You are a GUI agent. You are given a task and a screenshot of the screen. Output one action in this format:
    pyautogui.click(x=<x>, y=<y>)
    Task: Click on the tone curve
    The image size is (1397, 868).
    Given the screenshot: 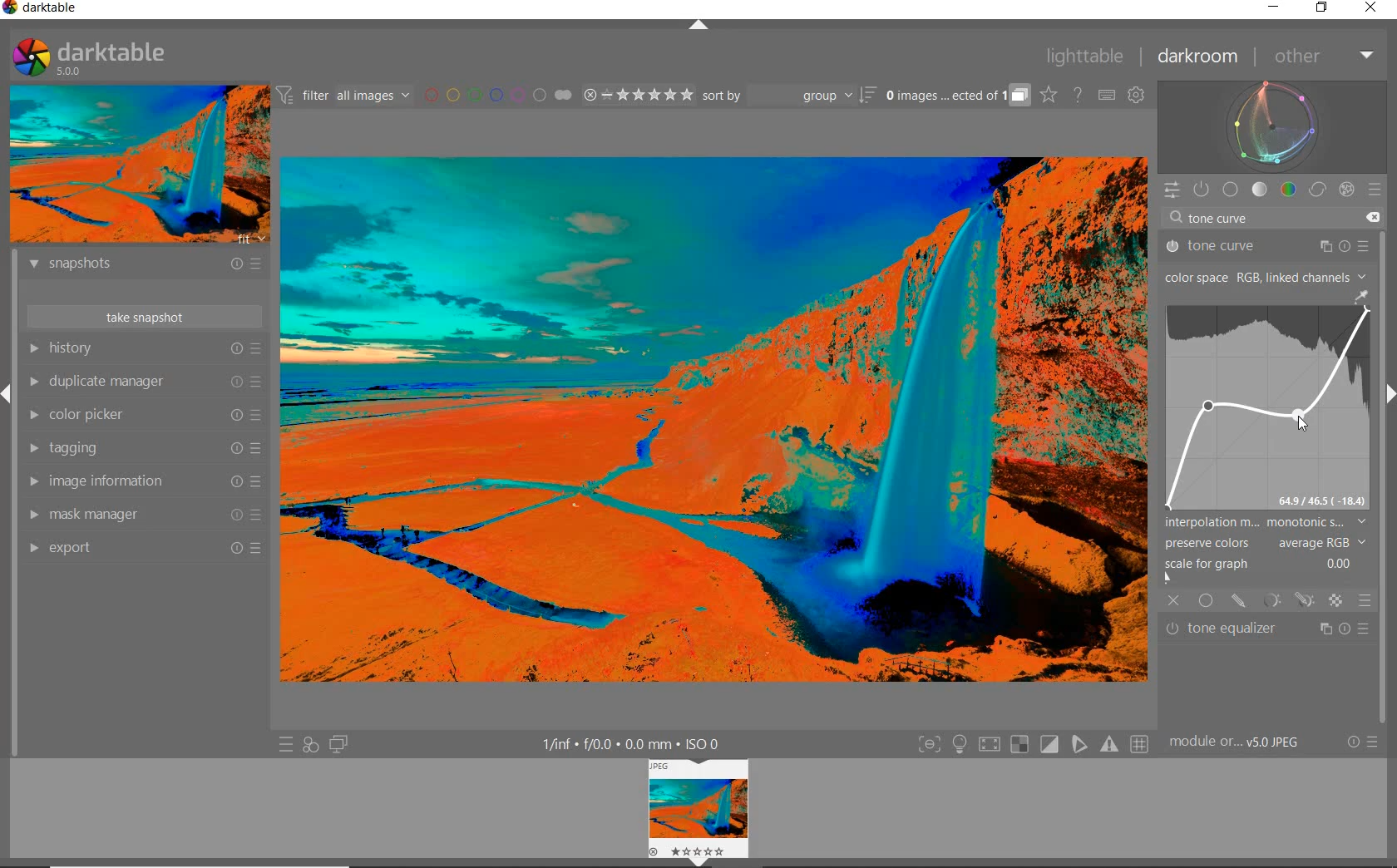 What is the action you would take?
    pyautogui.click(x=1265, y=246)
    